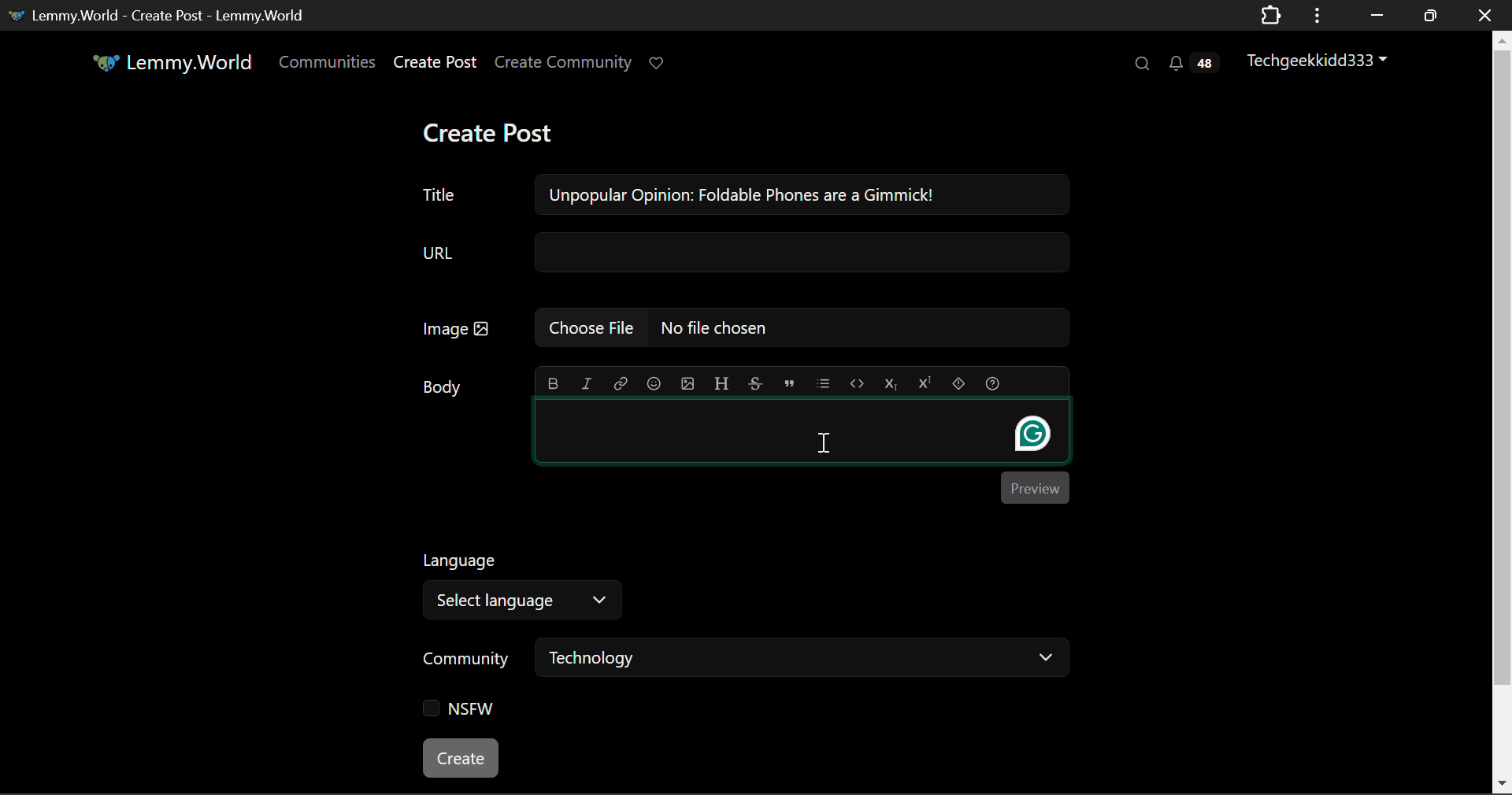 The width and height of the screenshot is (1512, 795). What do you see at coordinates (825, 381) in the screenshot?
I see `list` at bounding box center [825, 381].